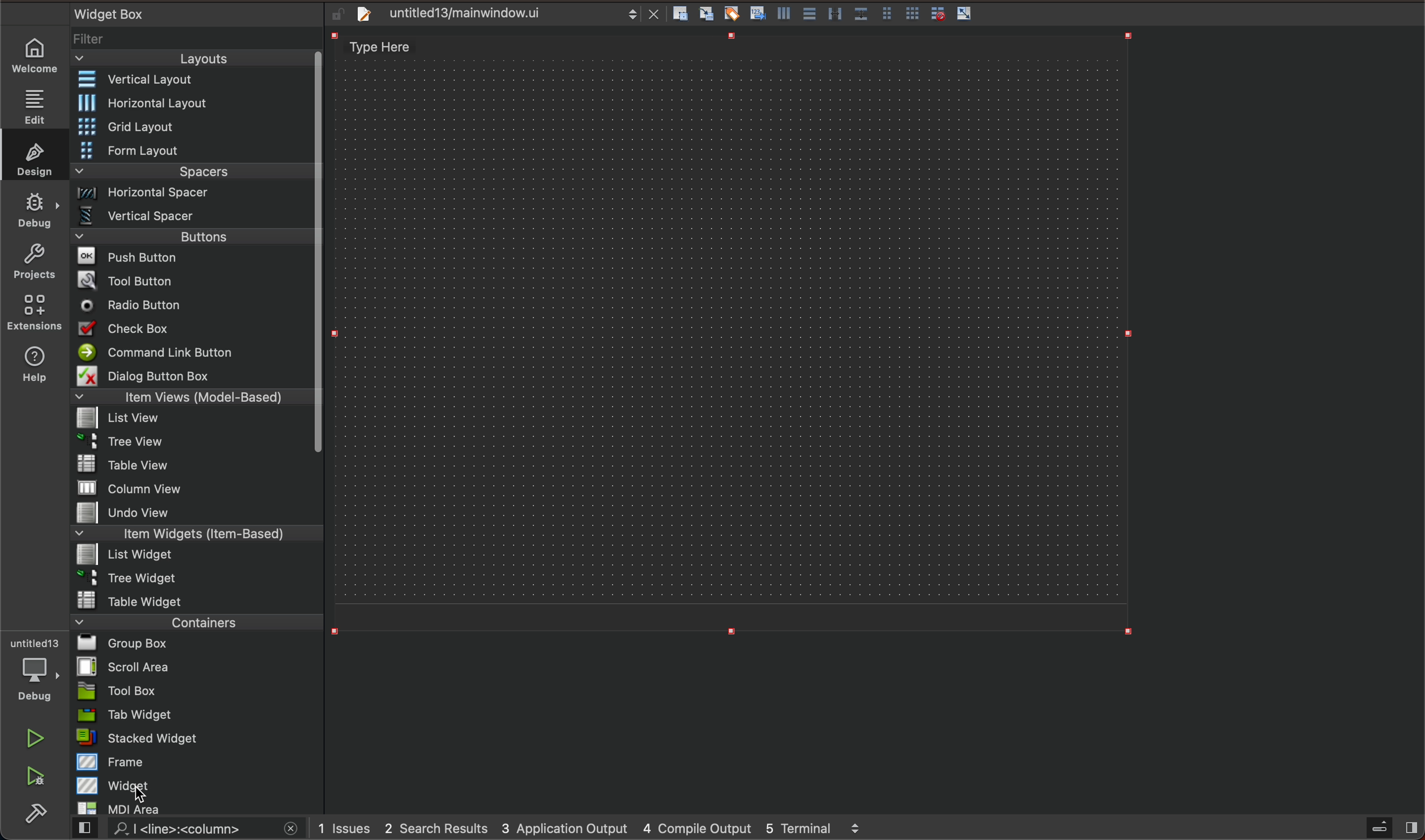 Image resolution: width=1425 pixels, height=840 pixels. Describe the element at coordinates (191, 419) in the screenshot. I see `list view` at that location.